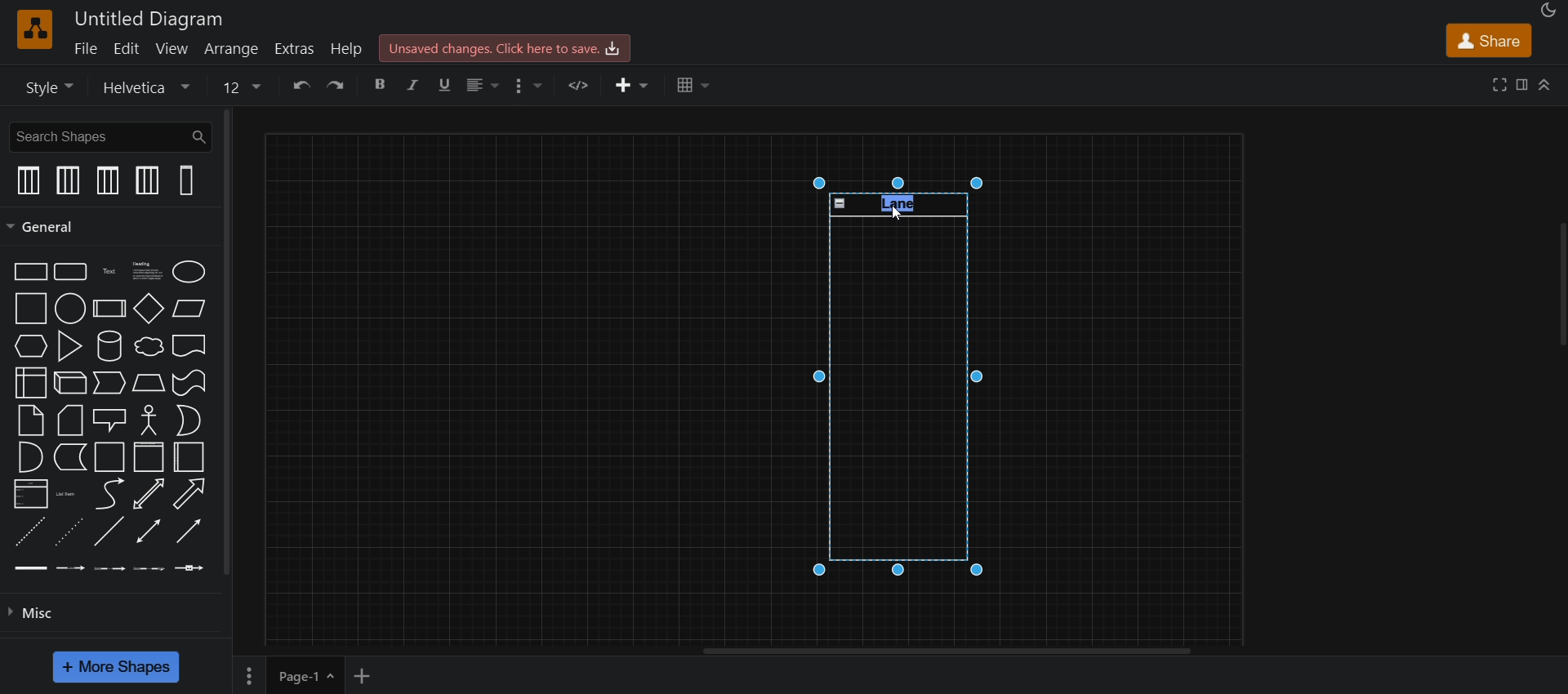 Image resolution: width=1568 pixels, height=694 pixels. What do you see at coordinates (31, 568) in the screenshot?
I see `link` at bounding box center [31, 568].